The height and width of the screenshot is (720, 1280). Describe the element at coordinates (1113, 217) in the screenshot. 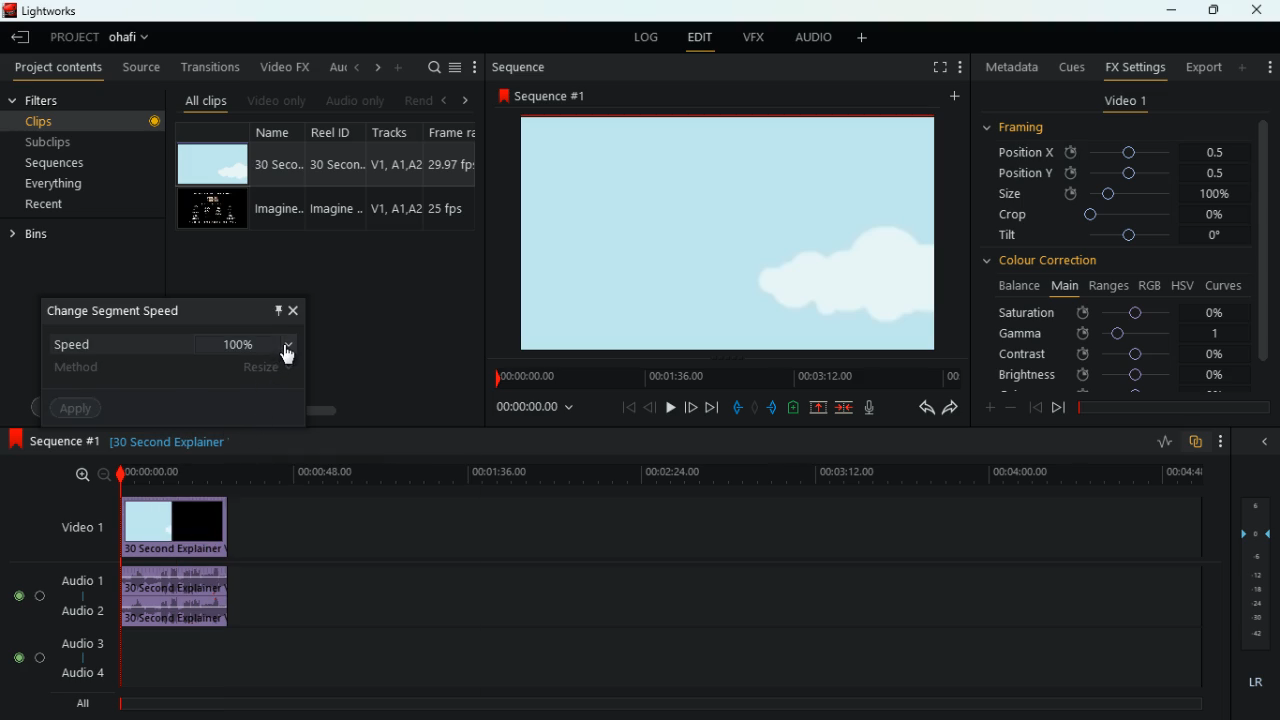

I see `crop` at that location.